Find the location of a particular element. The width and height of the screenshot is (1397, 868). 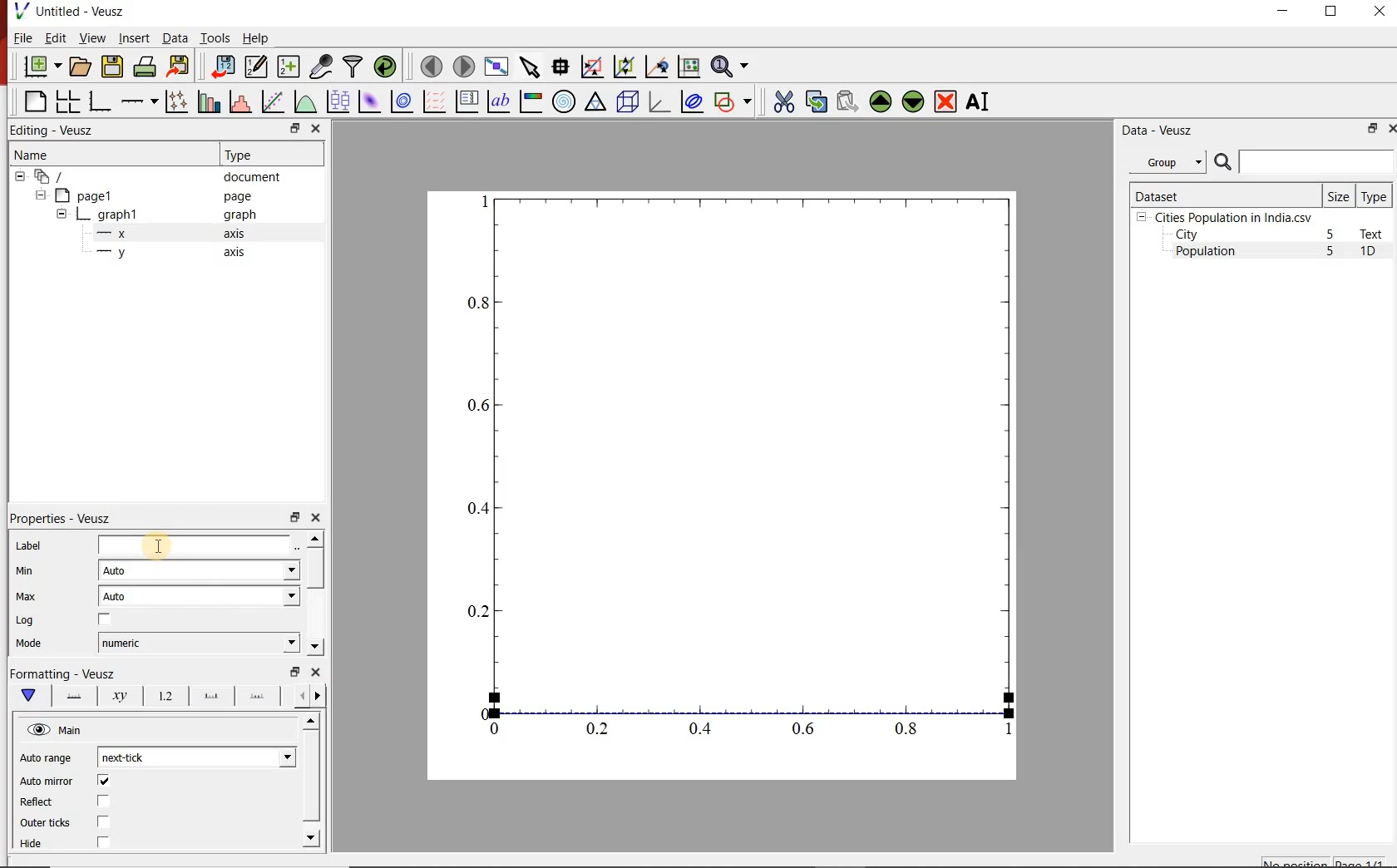

open a document is located at coordinates (79, 67).